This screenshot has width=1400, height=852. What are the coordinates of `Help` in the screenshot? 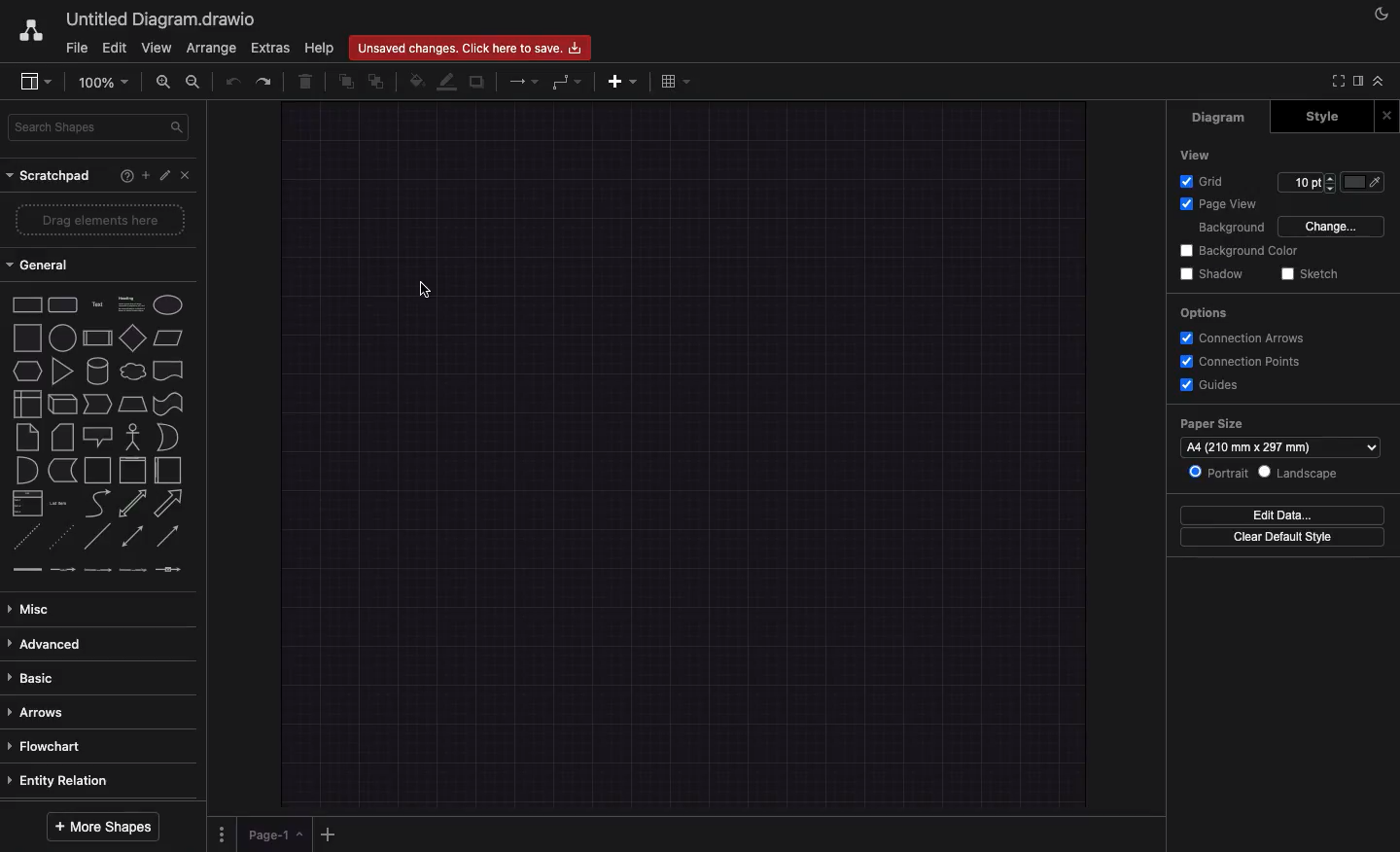 It's located at (321, 47).